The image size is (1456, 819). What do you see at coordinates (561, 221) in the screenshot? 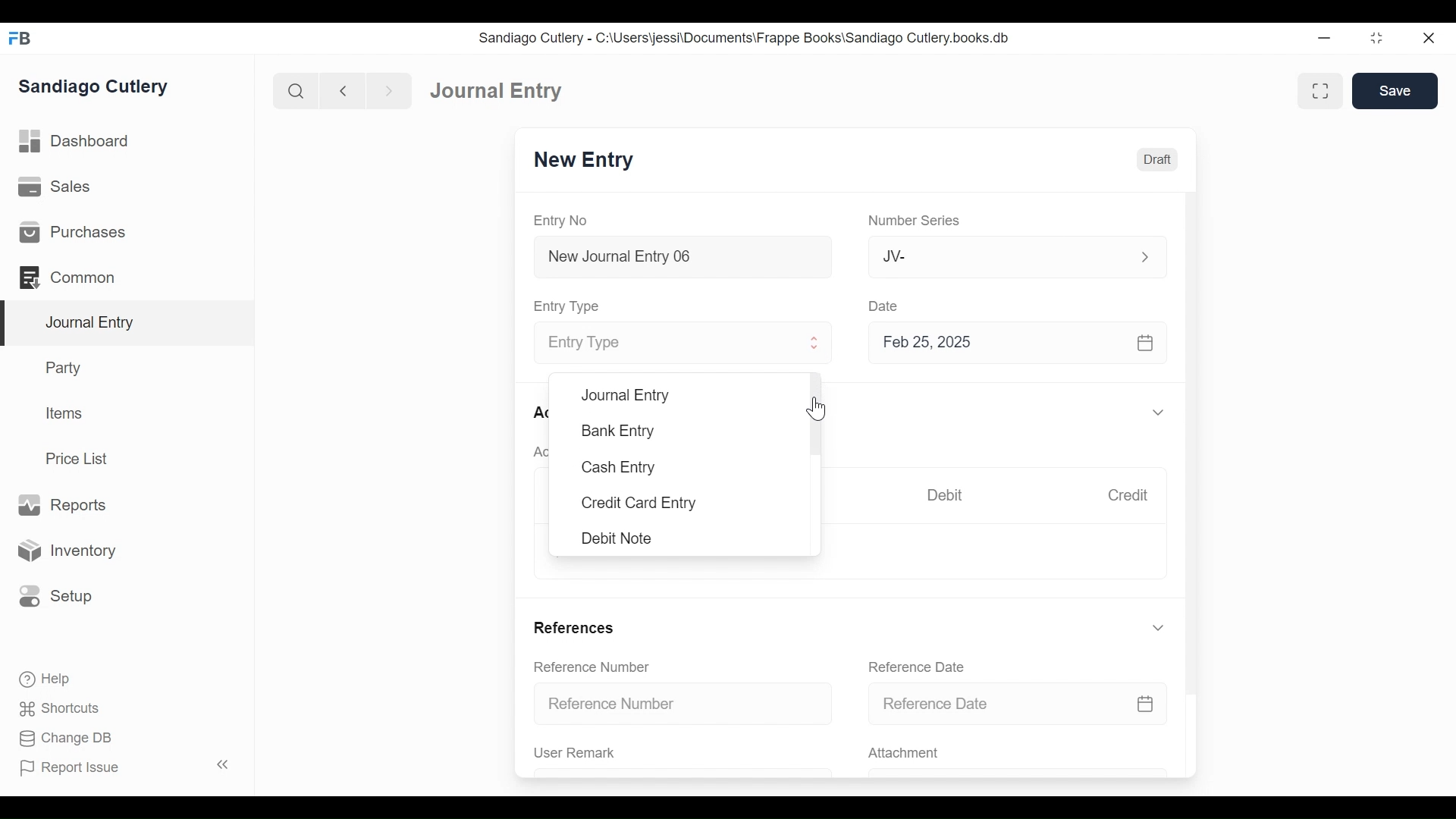
I see `Entry No` at bounding box center [561, 221].